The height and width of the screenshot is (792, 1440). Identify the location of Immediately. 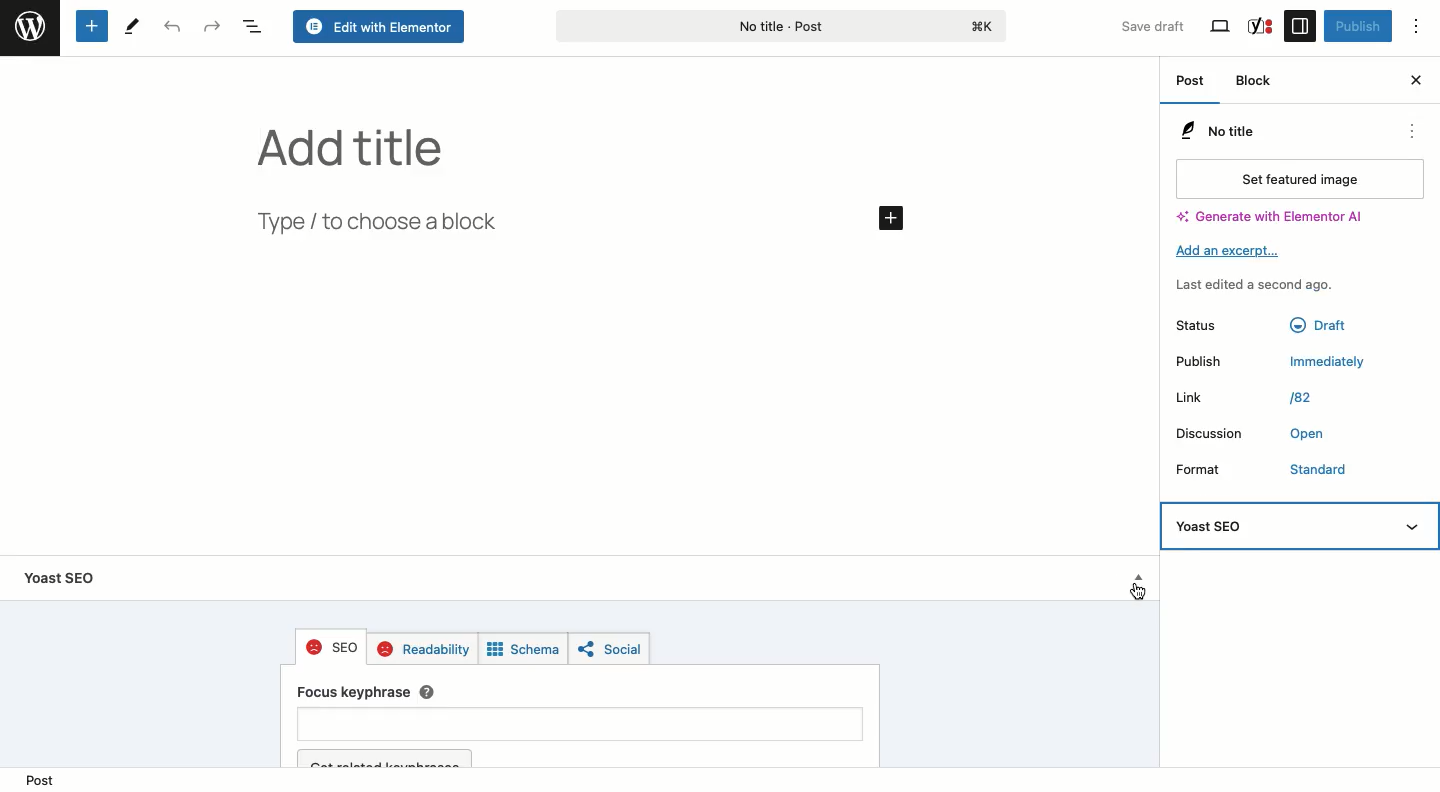
(1319, 361).